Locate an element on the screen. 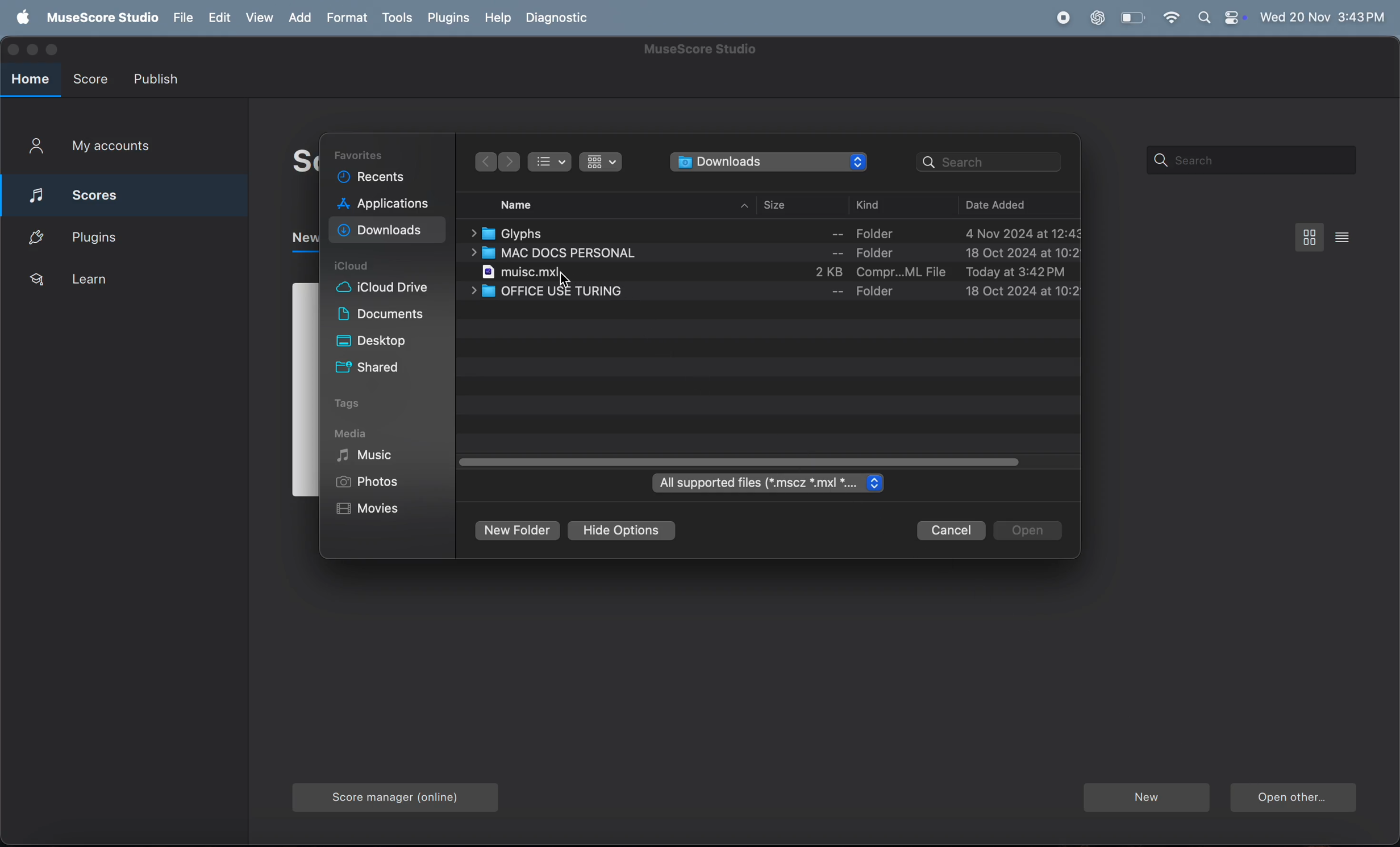 This screenshot has width=1400, height=847. new is located at coordinates (1145, 796).